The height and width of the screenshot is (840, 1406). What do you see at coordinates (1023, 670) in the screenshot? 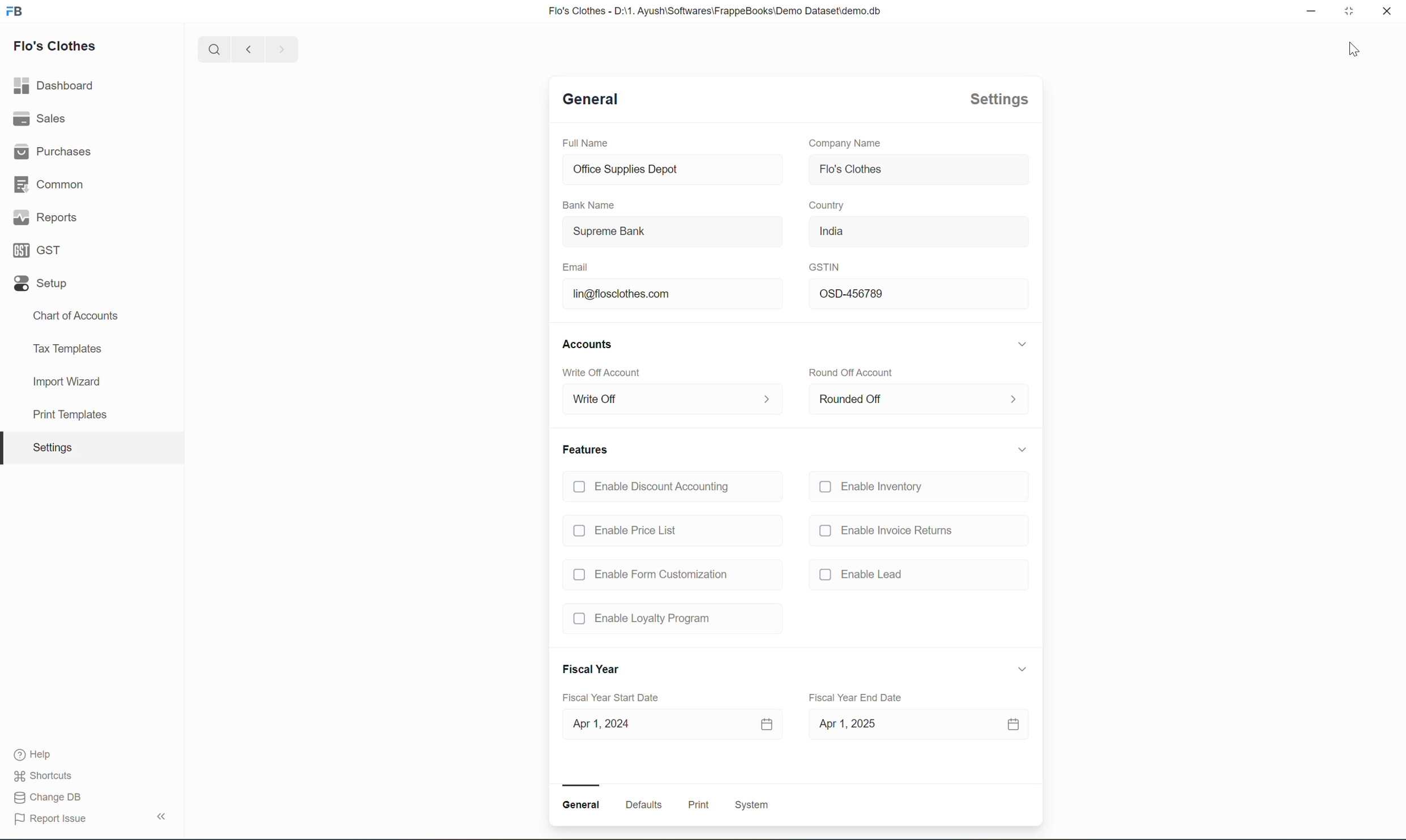
I see `Expand/collapse` at bounding box center [1023, 670].